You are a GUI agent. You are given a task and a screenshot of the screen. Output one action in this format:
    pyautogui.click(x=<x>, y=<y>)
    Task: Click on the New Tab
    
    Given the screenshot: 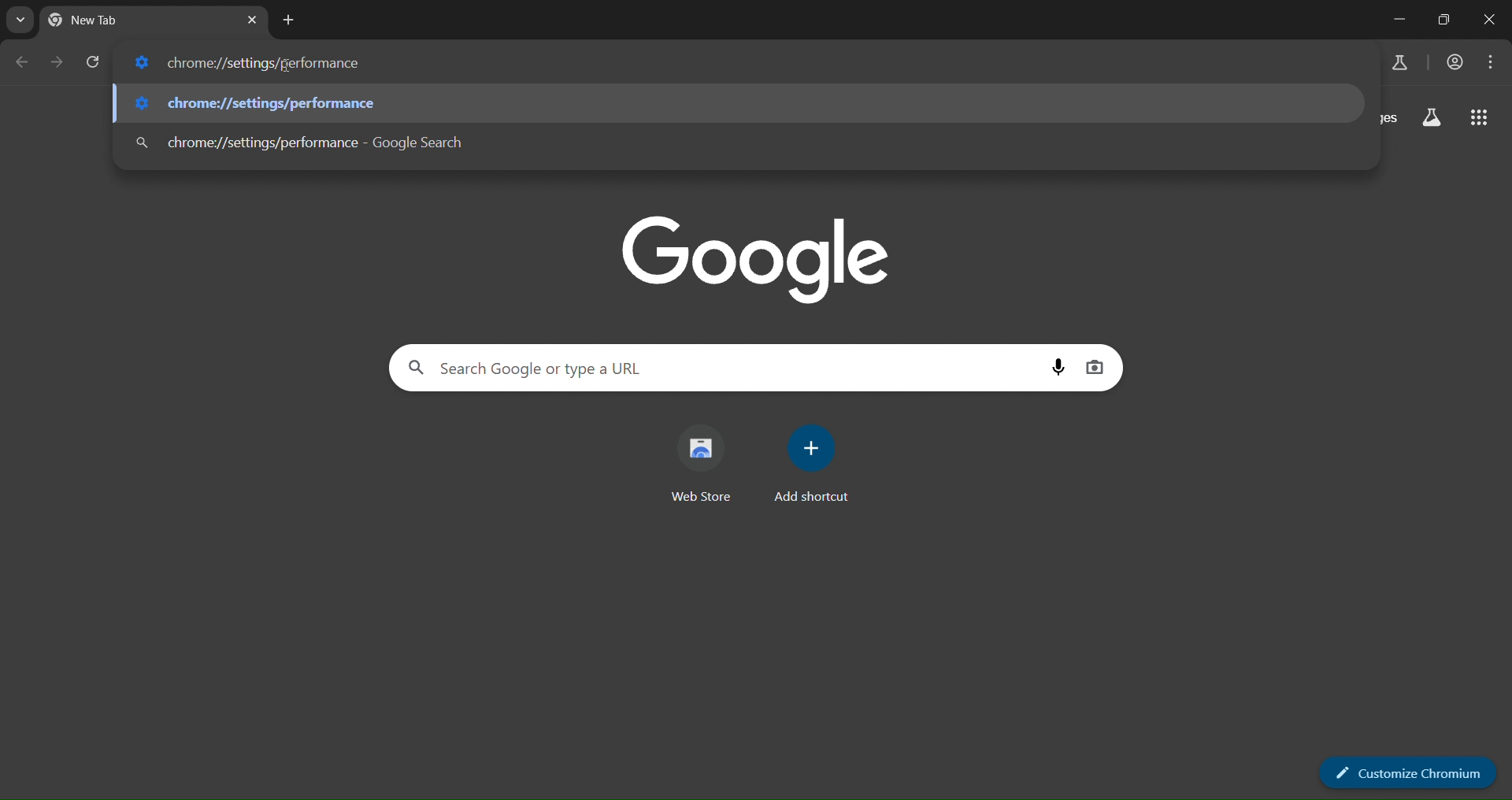 What is the action you would take?
    pyautogui.click(x=106, y=20)
    